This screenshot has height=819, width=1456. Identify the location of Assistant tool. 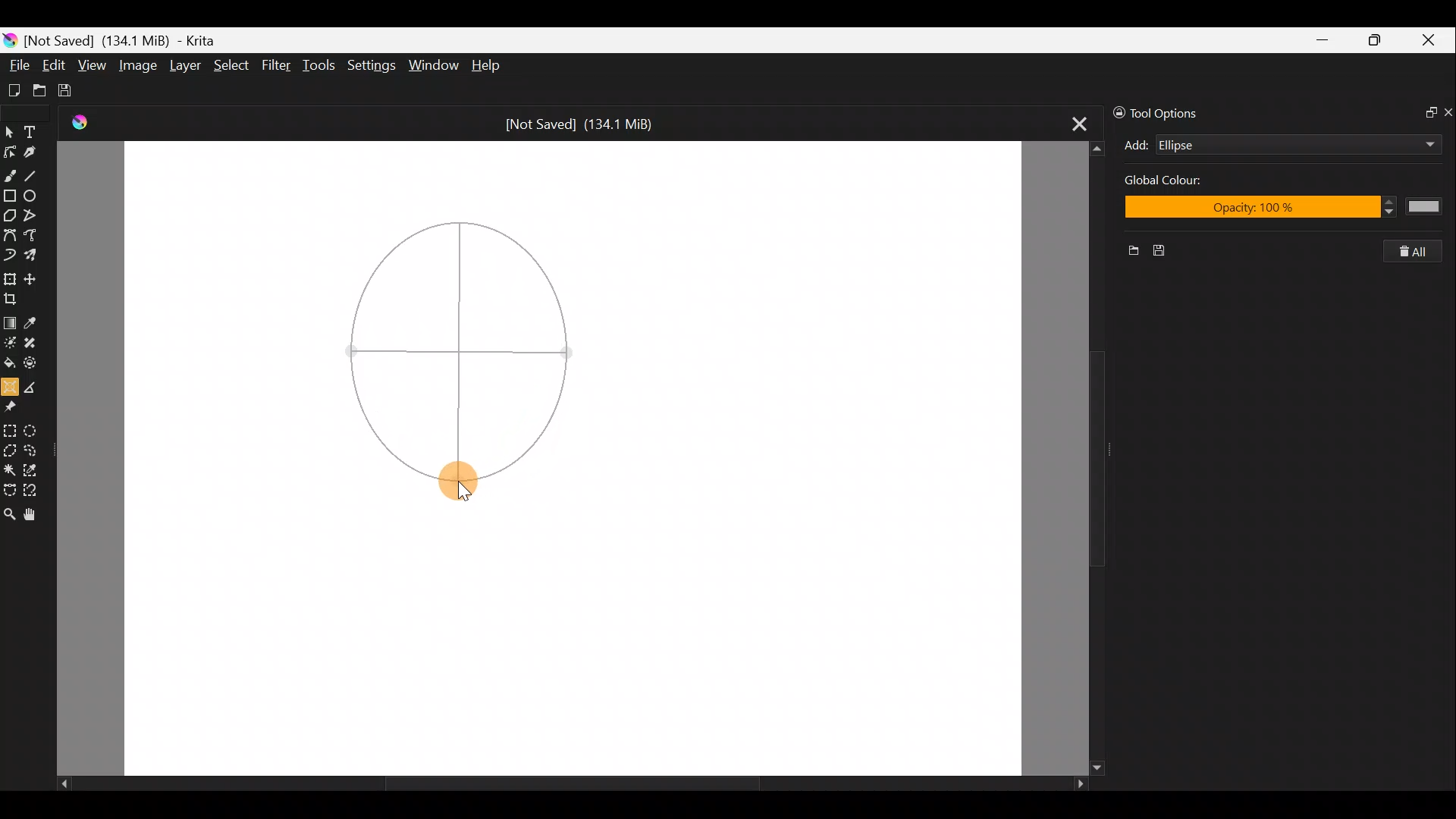
(10, 385).